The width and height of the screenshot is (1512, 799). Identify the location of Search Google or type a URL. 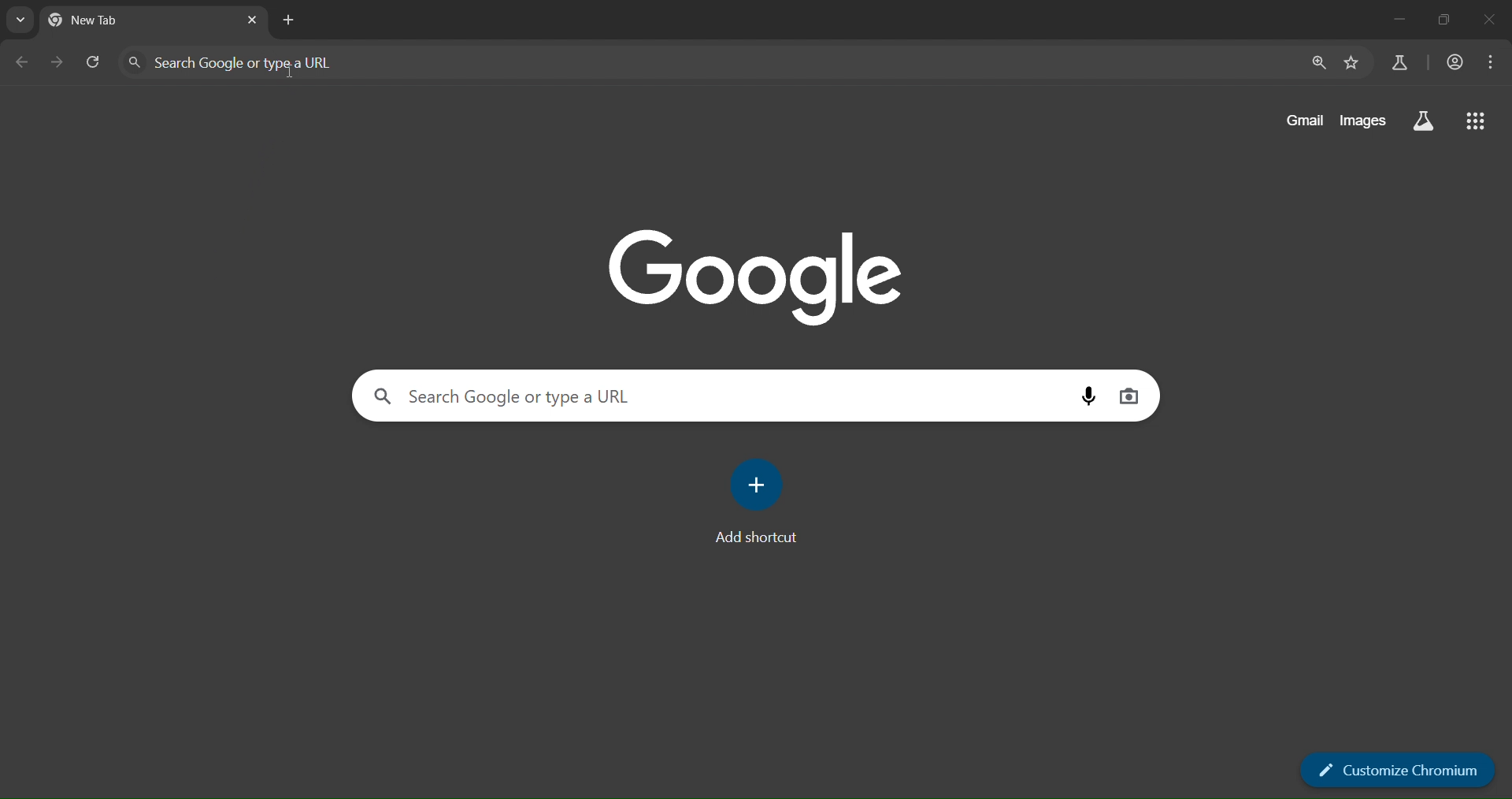
(717, 395).